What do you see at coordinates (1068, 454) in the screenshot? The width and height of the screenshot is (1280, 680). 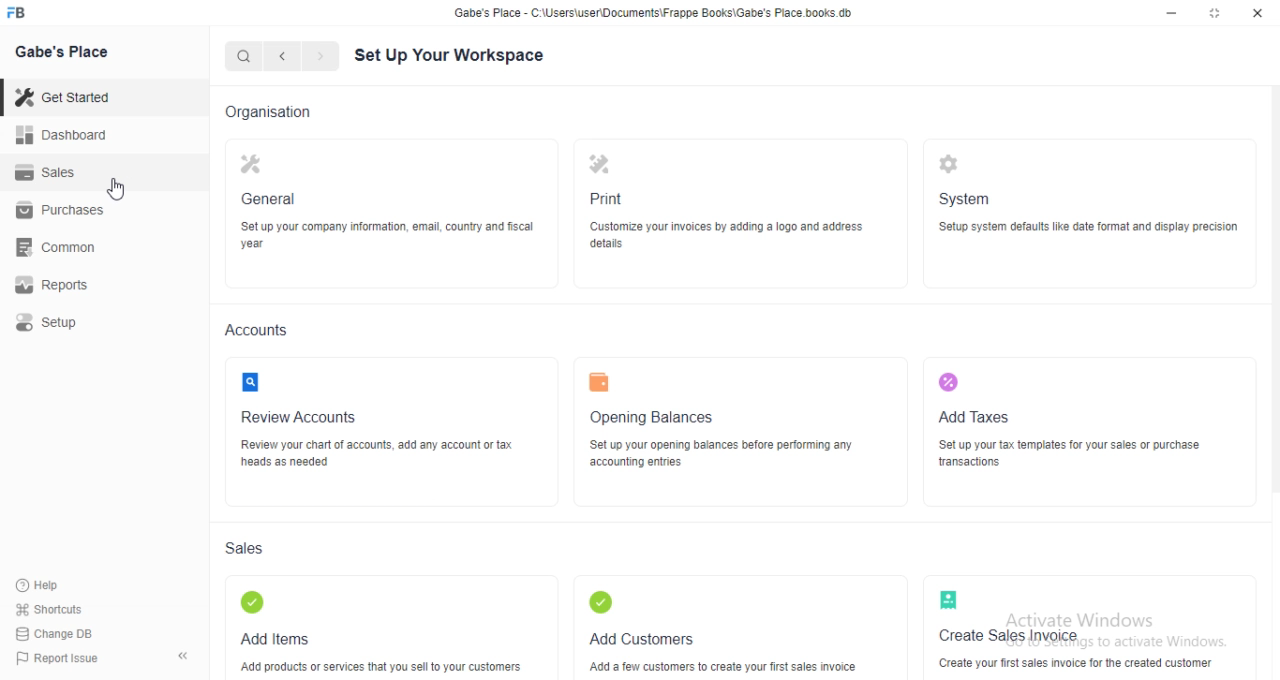 I see `Set up your tax templates for your sales or purchase transactions.` at bounding box center [1068, 454].